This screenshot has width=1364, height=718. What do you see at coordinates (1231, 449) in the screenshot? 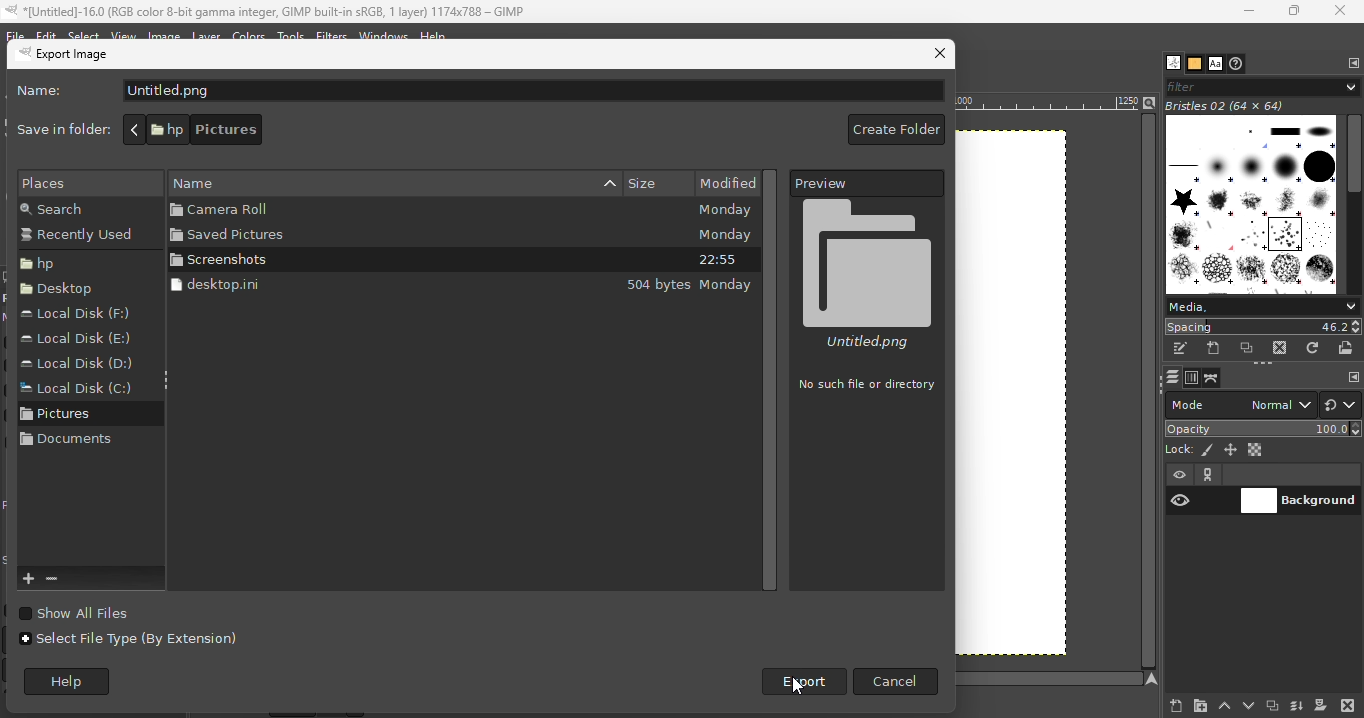
I see `Lock position and size` at bounding box center [1231, 449].